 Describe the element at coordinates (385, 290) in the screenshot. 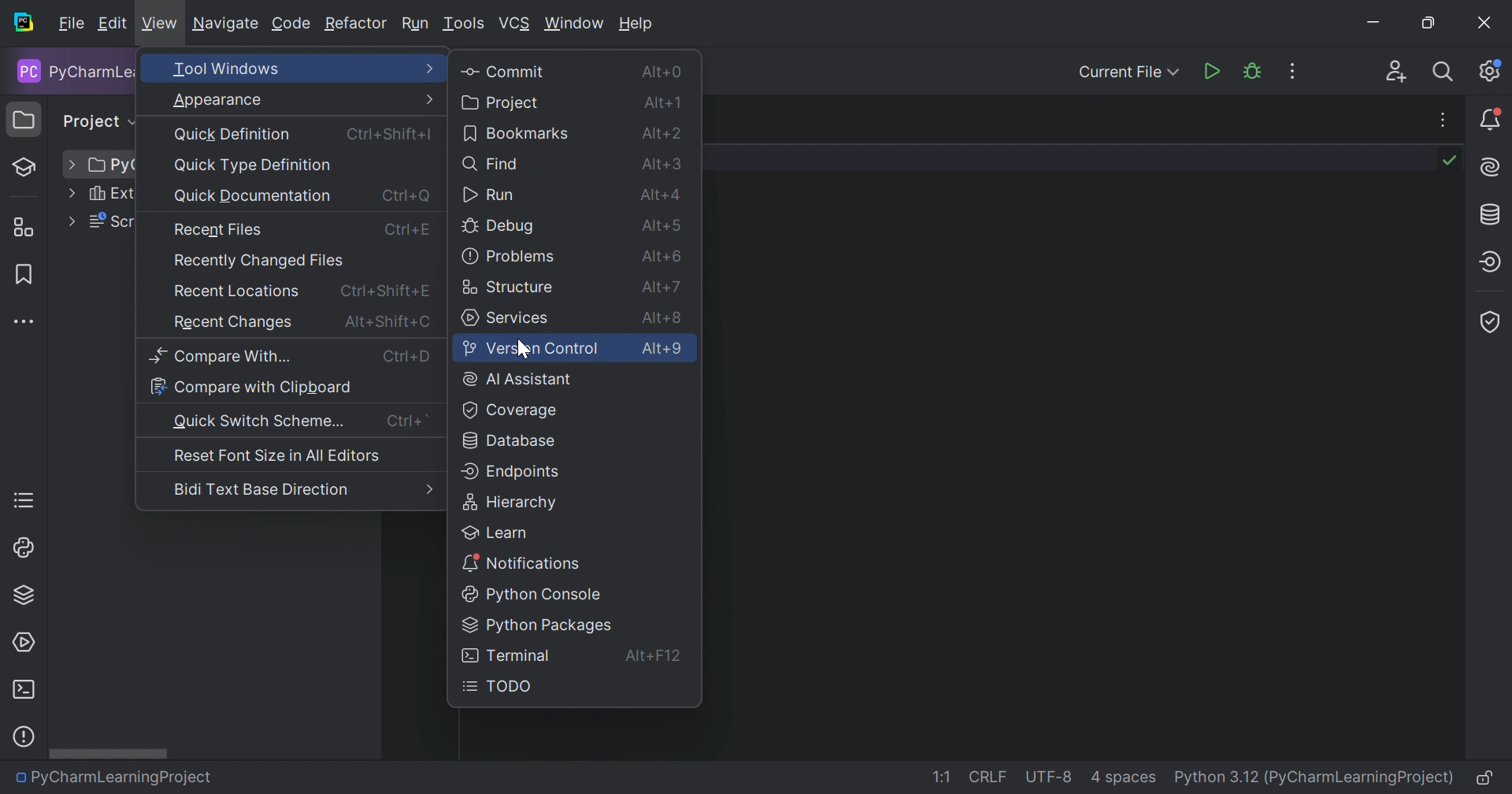

I see `Ctrl+Shift+E` at that location.